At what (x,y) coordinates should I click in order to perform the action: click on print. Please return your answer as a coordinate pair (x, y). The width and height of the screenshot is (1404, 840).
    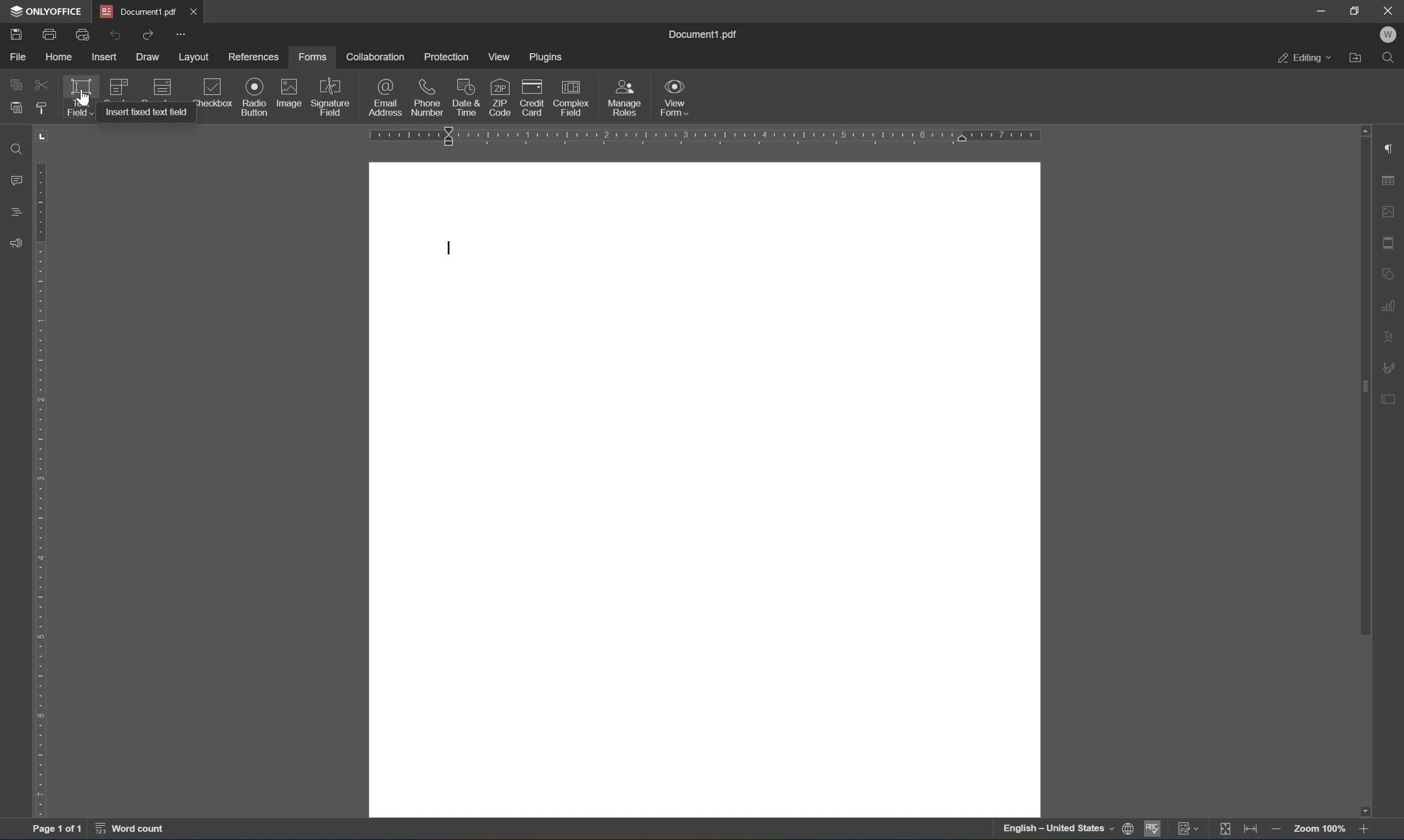
    Looking at the image, I should click on (1125, 828).